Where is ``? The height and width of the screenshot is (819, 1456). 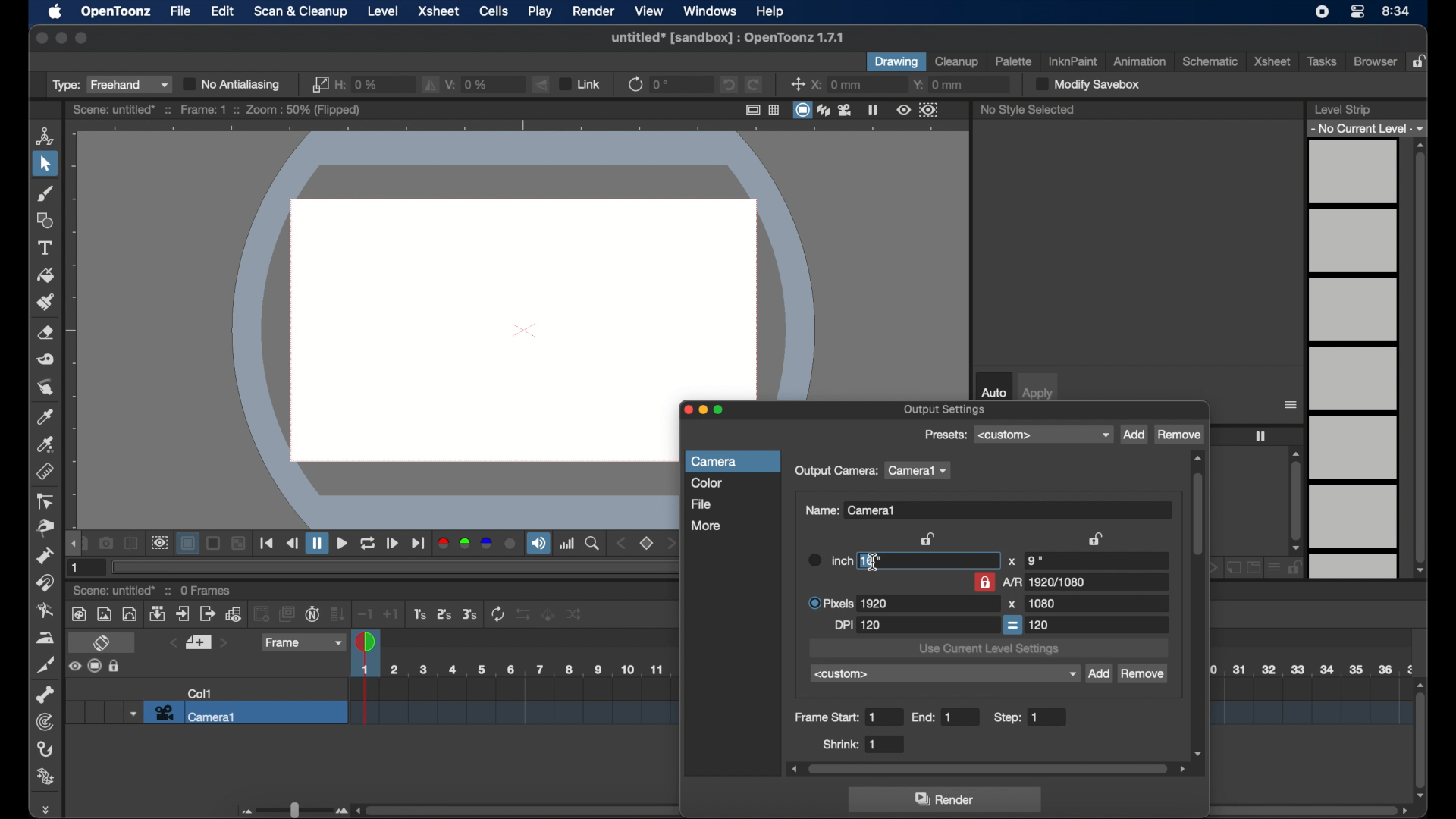  is located at coordinates (417, 547).